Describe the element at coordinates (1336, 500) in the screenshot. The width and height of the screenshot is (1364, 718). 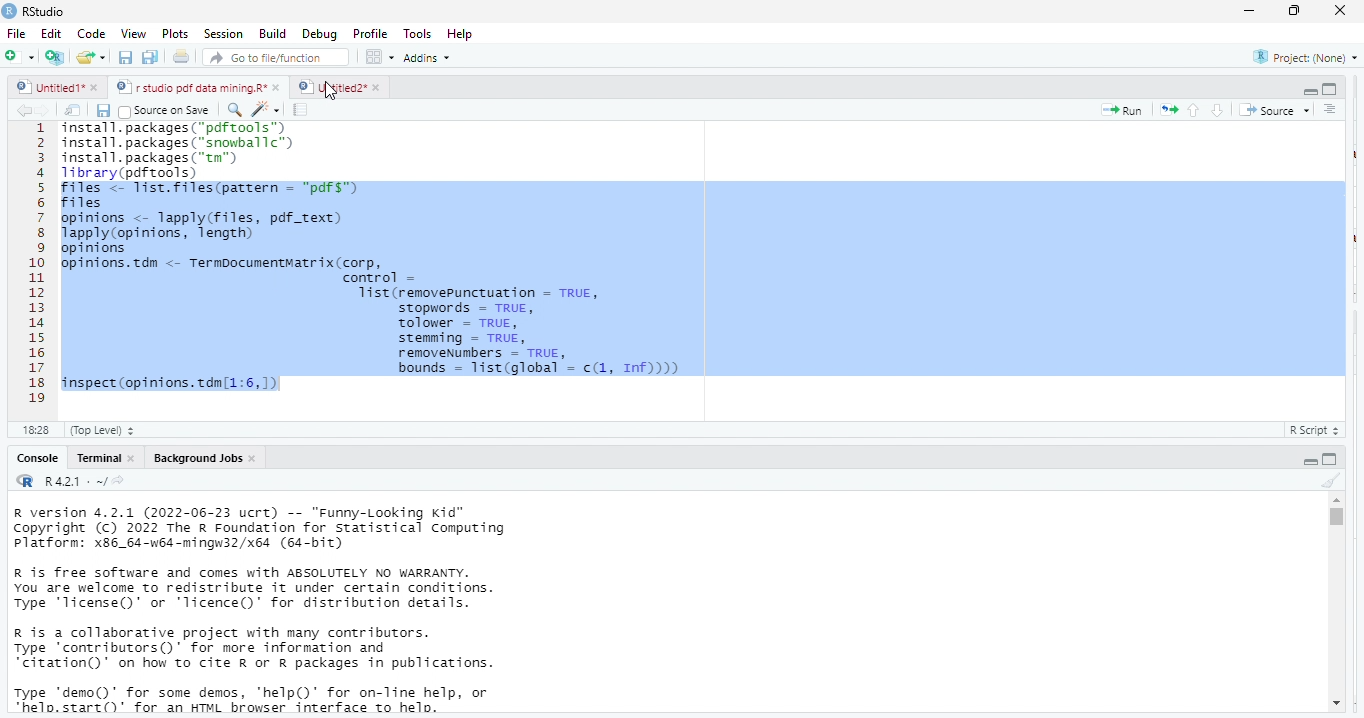
I see `scroll up` at that location.